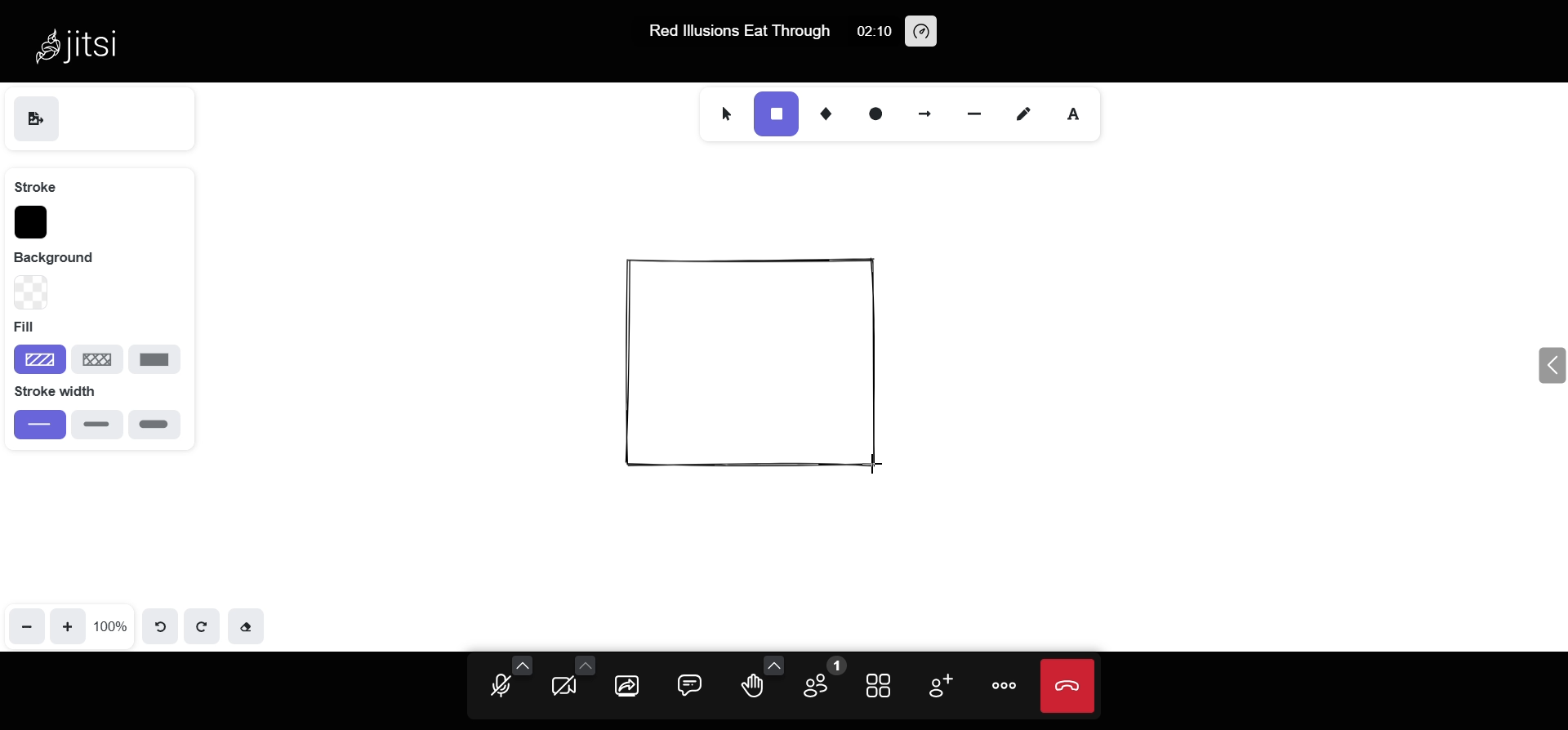  Describe the element at coordinates (722, 112) in the screenshot. I see `select` at that location.